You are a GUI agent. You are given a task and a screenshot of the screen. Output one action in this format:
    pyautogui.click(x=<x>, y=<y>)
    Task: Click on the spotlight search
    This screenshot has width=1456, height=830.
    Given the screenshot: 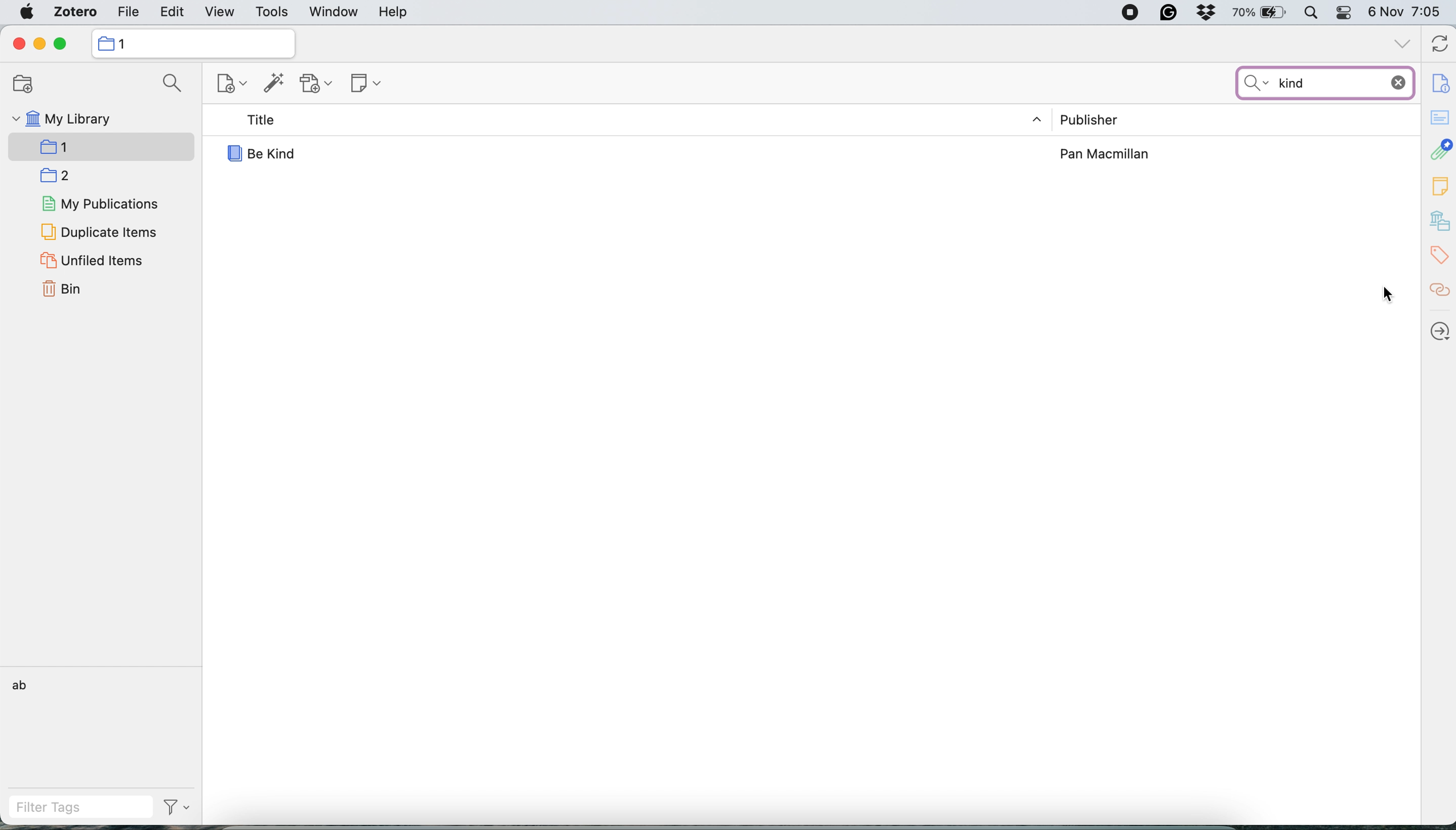 What is the action you would take?
    pyautogui.click(x=1315, y=14)
    